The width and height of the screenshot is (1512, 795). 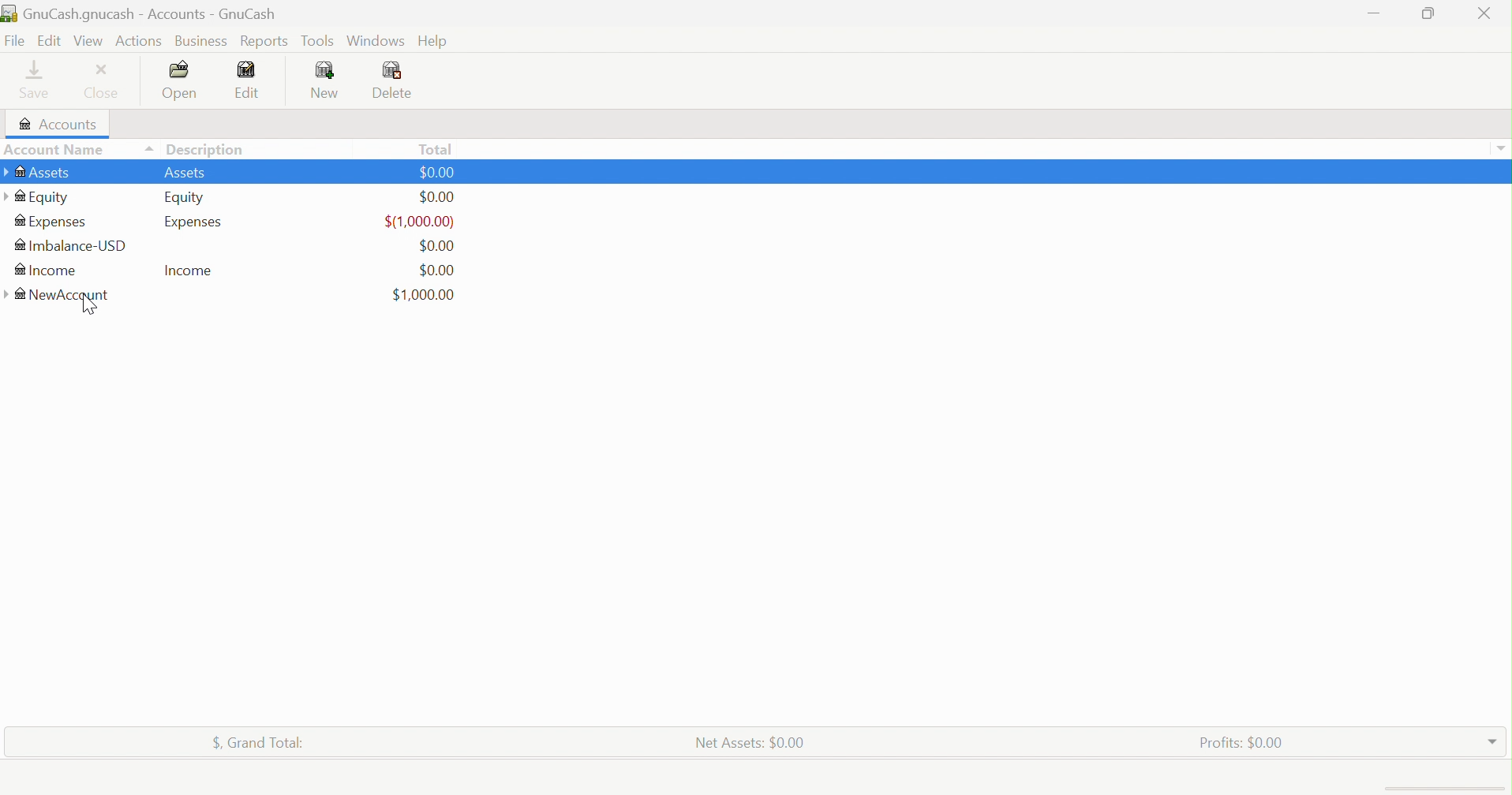 I want to click on Income, so click(x=44, y=272).